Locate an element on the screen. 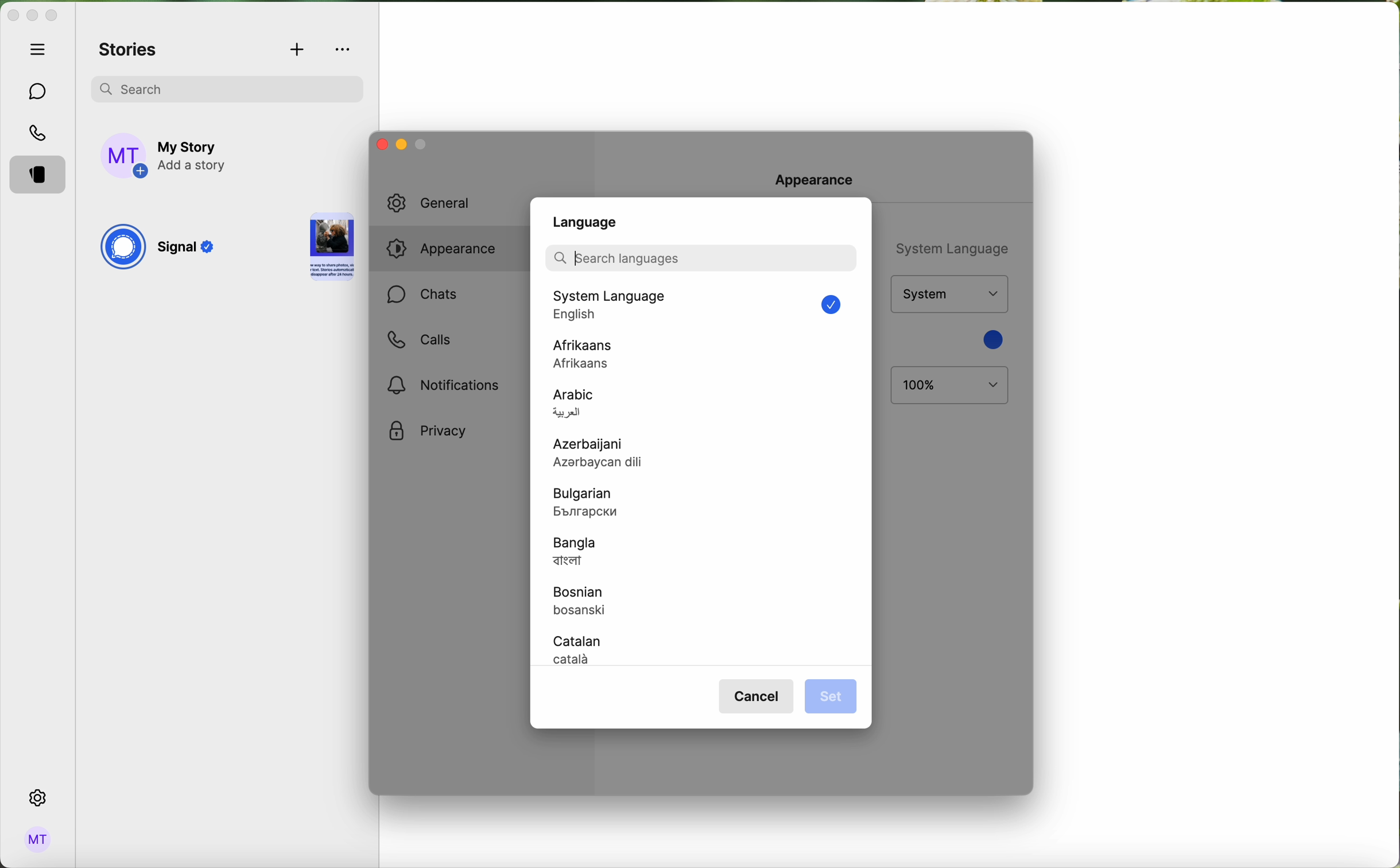 The width and height of the screenshot is (1400, 868). azerbaijani is located at coordinates (611, 455).